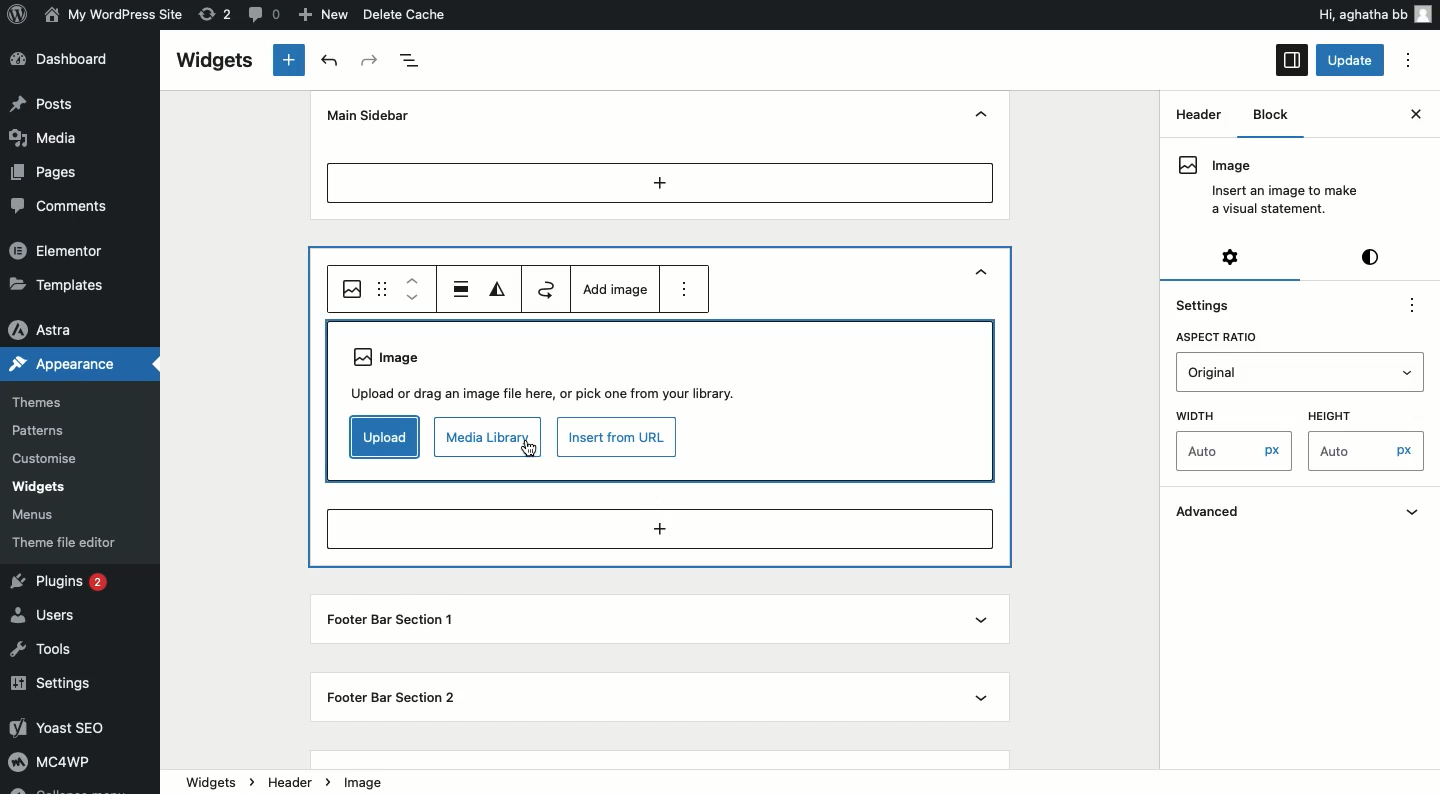 The image size is (1440, 794). Describe the element at coordinates (617, 437) in the screenshot. I see `Insert from URL` at that location.